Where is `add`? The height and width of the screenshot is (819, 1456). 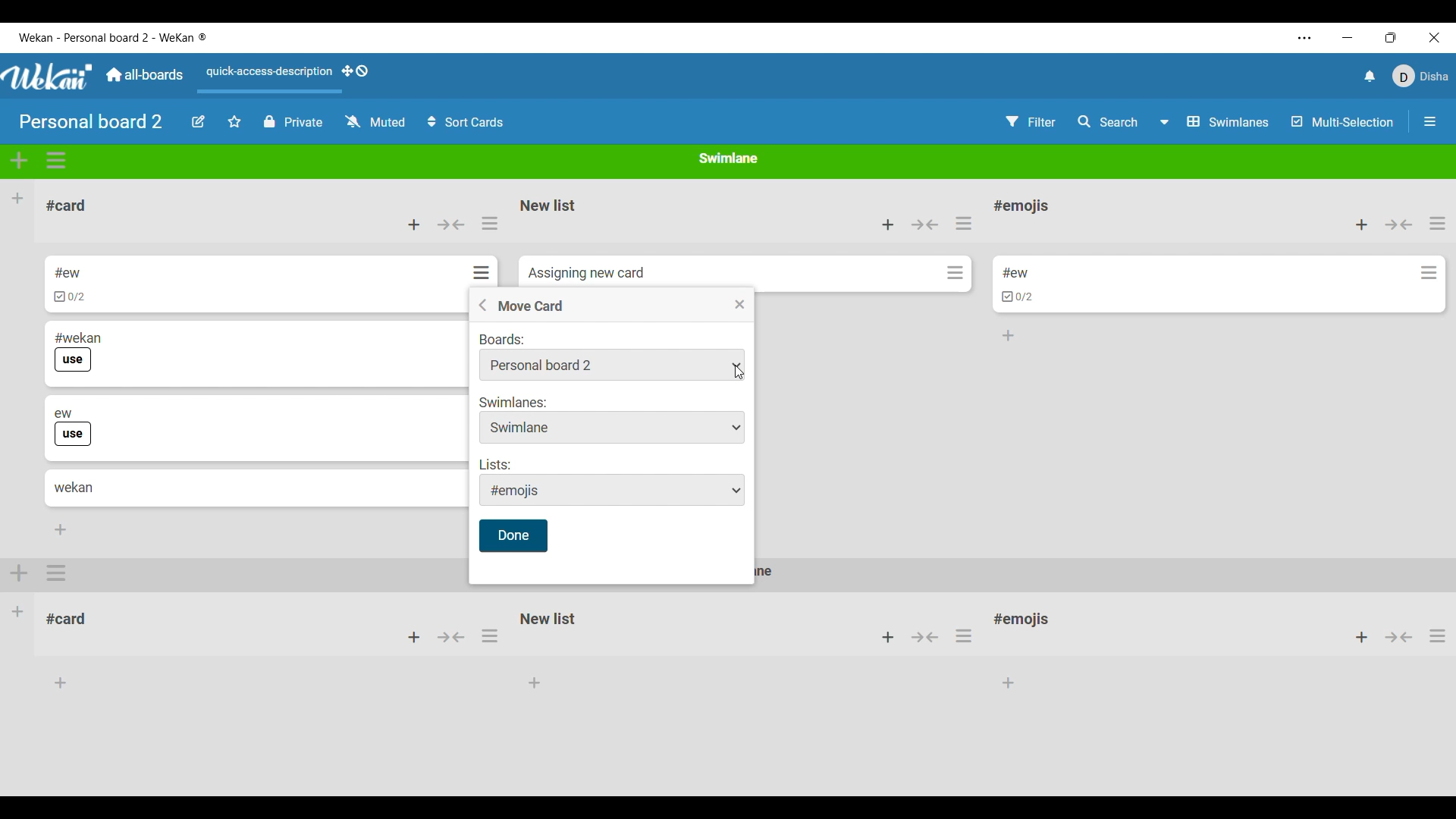
add is located at coordinates (884, 638).